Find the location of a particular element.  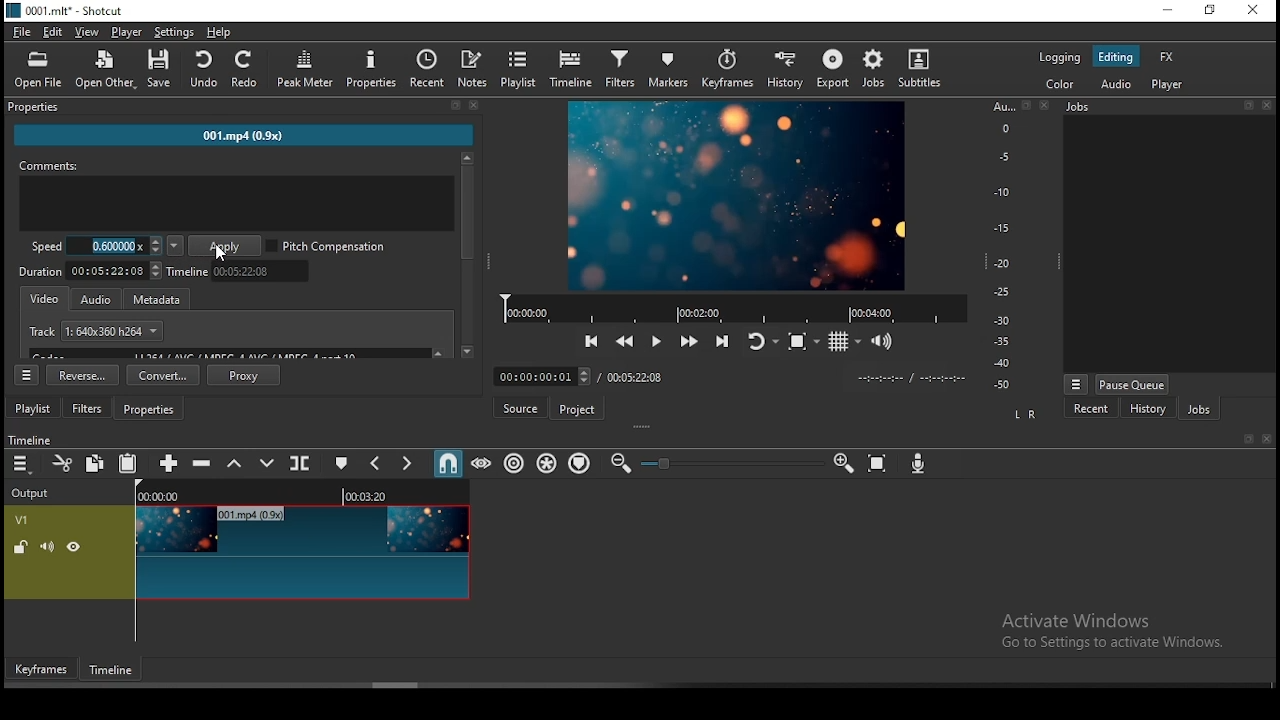

V1 is located at coordinates (26, 517).